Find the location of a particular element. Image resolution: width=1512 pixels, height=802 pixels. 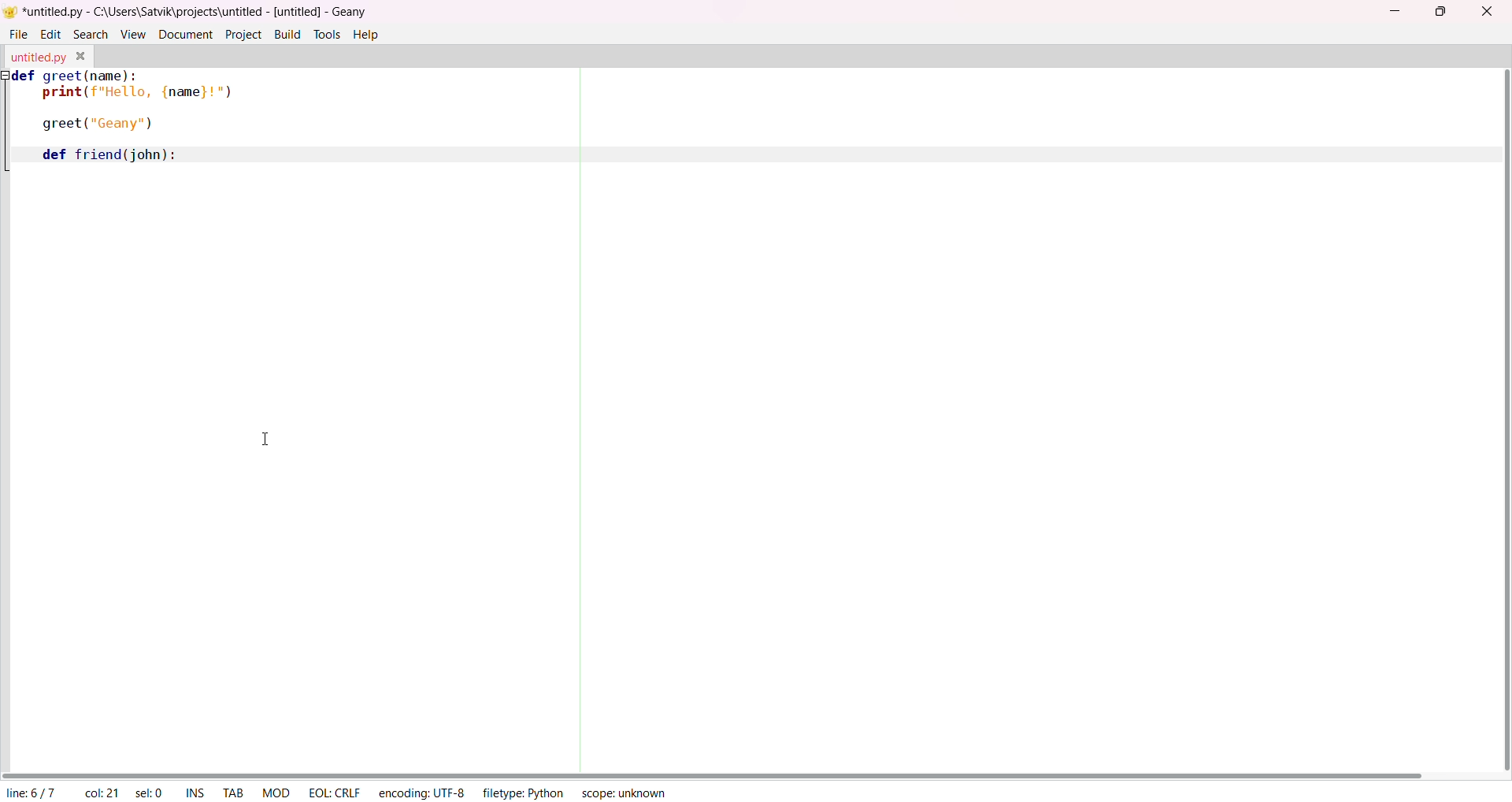

col: 21 is located at coordinates (99, 793).